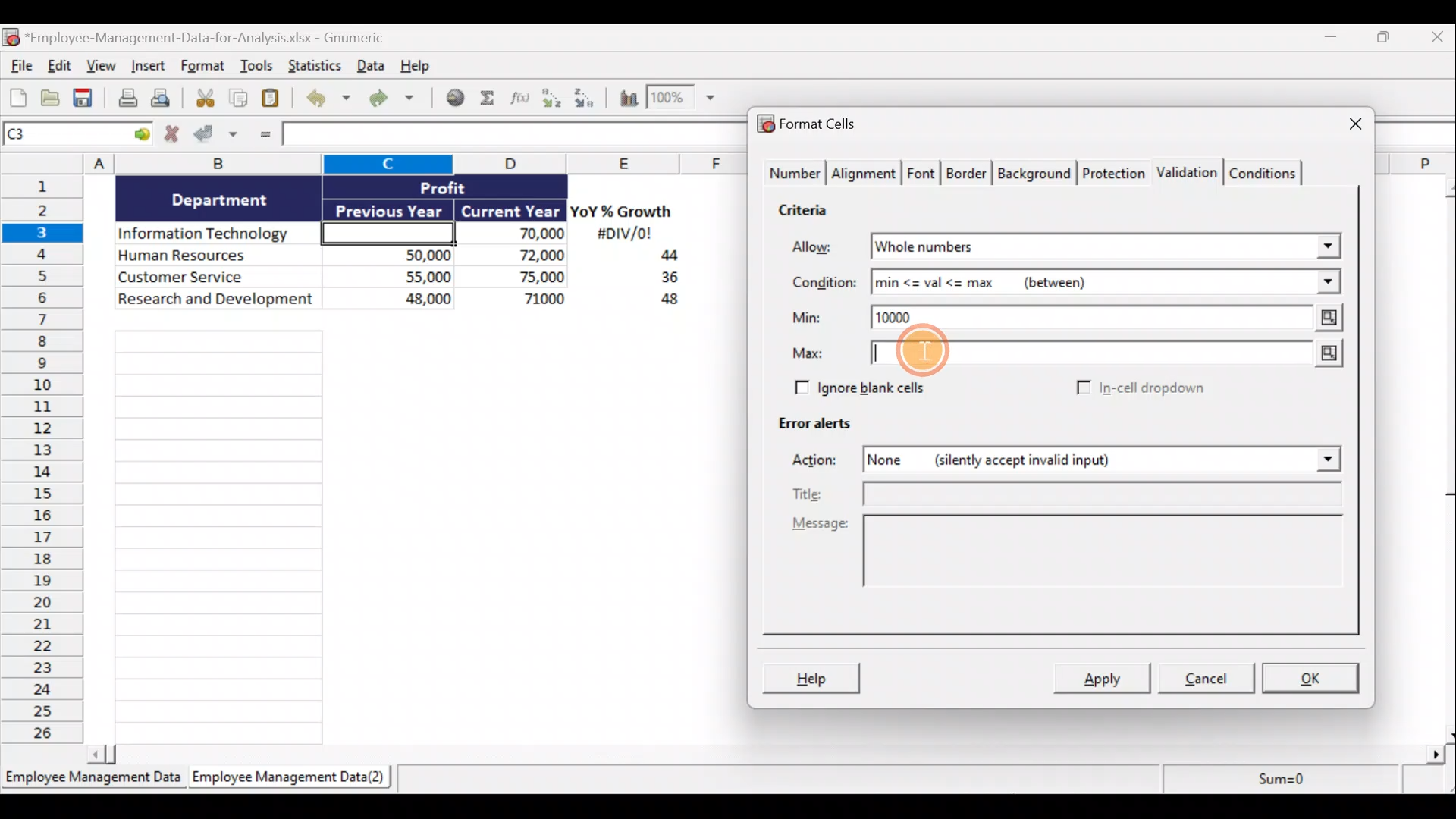  Describe the element at coordinates (622, 212) in the screenshot. I see `YoY% Growth` at that location.